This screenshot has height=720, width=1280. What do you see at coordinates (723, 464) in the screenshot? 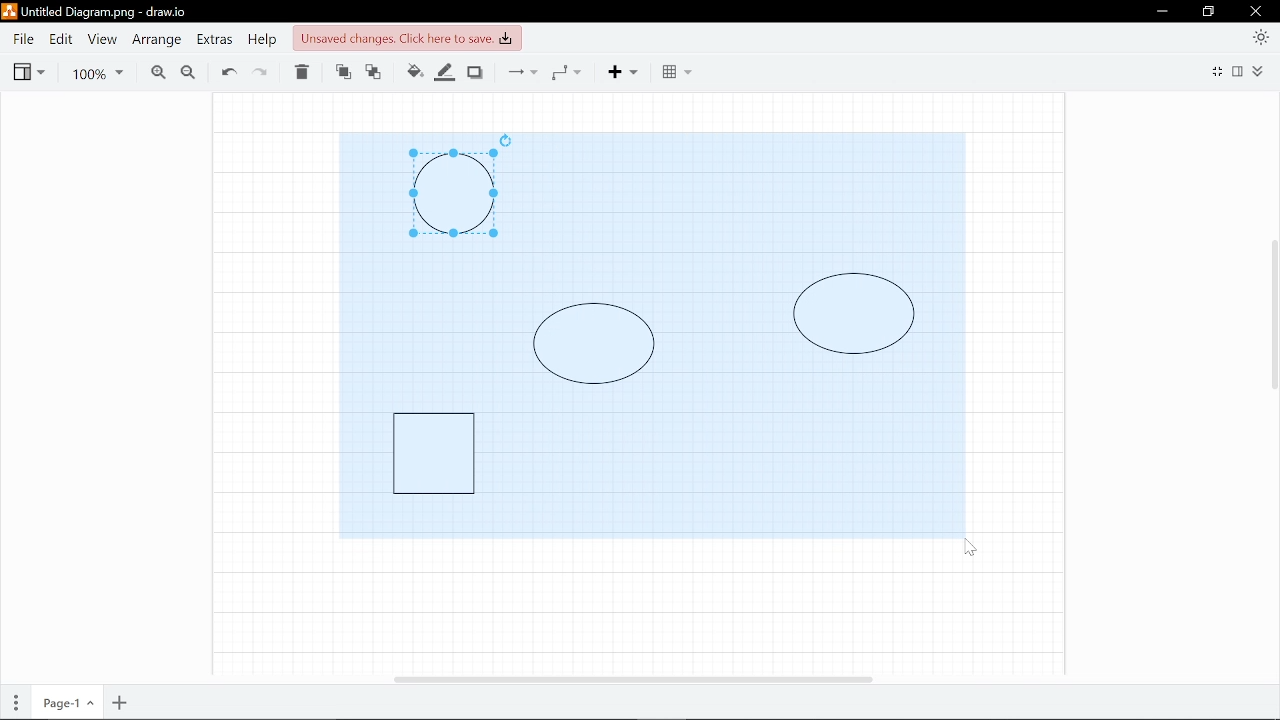
I see `Highlighted area represents portion selected by cursor` at bounding box center [723, 464].